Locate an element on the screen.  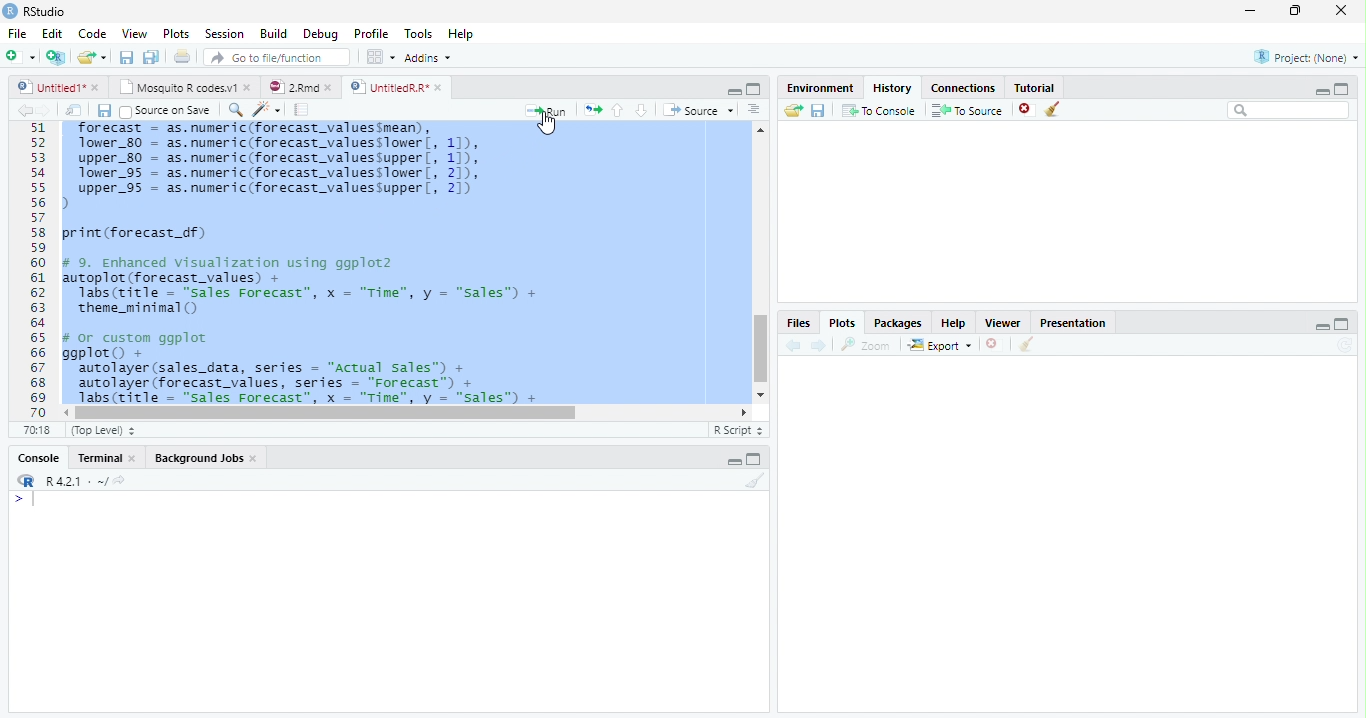
To Source is located at coordinates (967, 109).